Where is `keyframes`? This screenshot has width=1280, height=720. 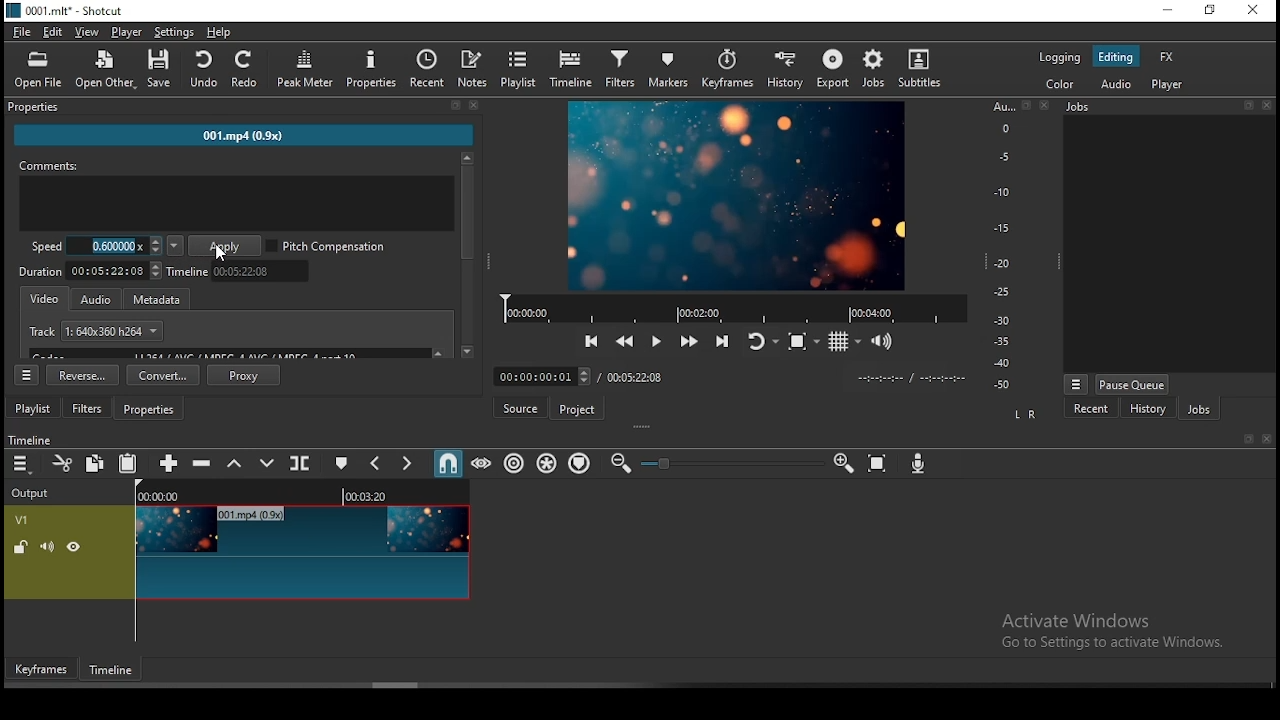 keyframes is located at coordinates (43, 669).